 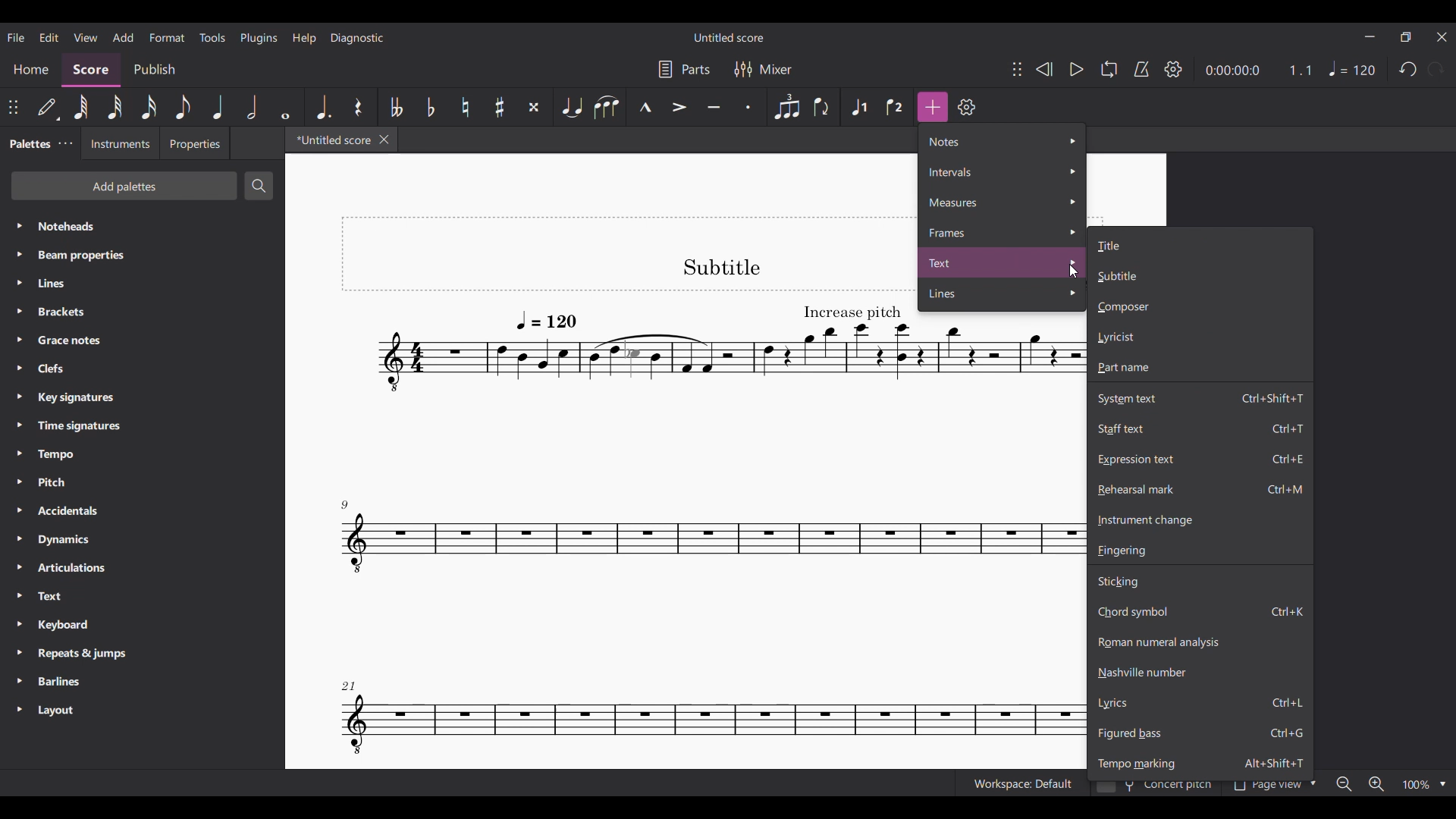 What do you see at coordinates (896, 107) in the screenshot?
I see `Voice 2` at bounding box center [896, 107].